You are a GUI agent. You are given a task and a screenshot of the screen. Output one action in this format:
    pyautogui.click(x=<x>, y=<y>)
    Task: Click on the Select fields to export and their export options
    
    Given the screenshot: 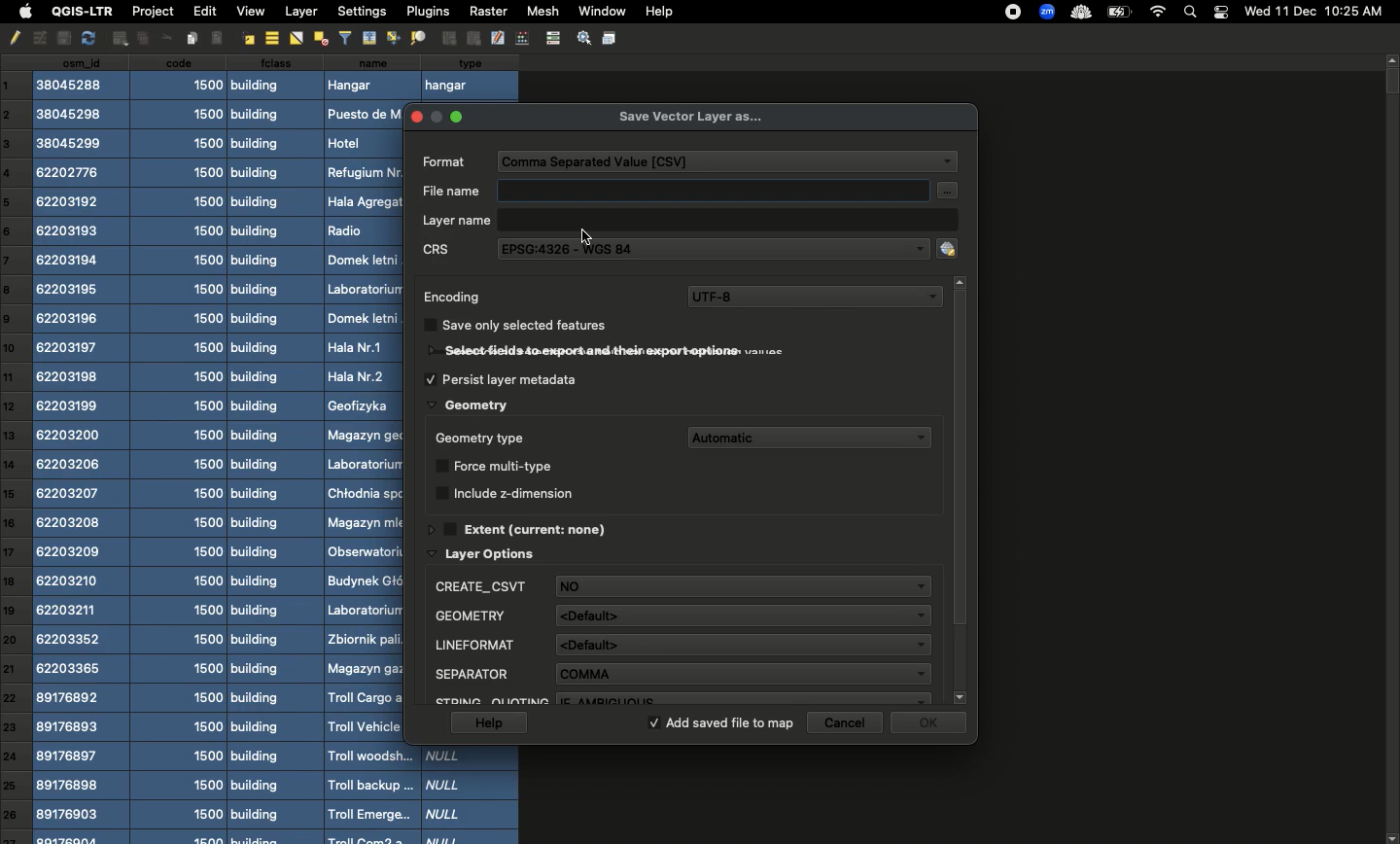 What is the action you would take?
    pyautogui.click(x=587, y=352)
    